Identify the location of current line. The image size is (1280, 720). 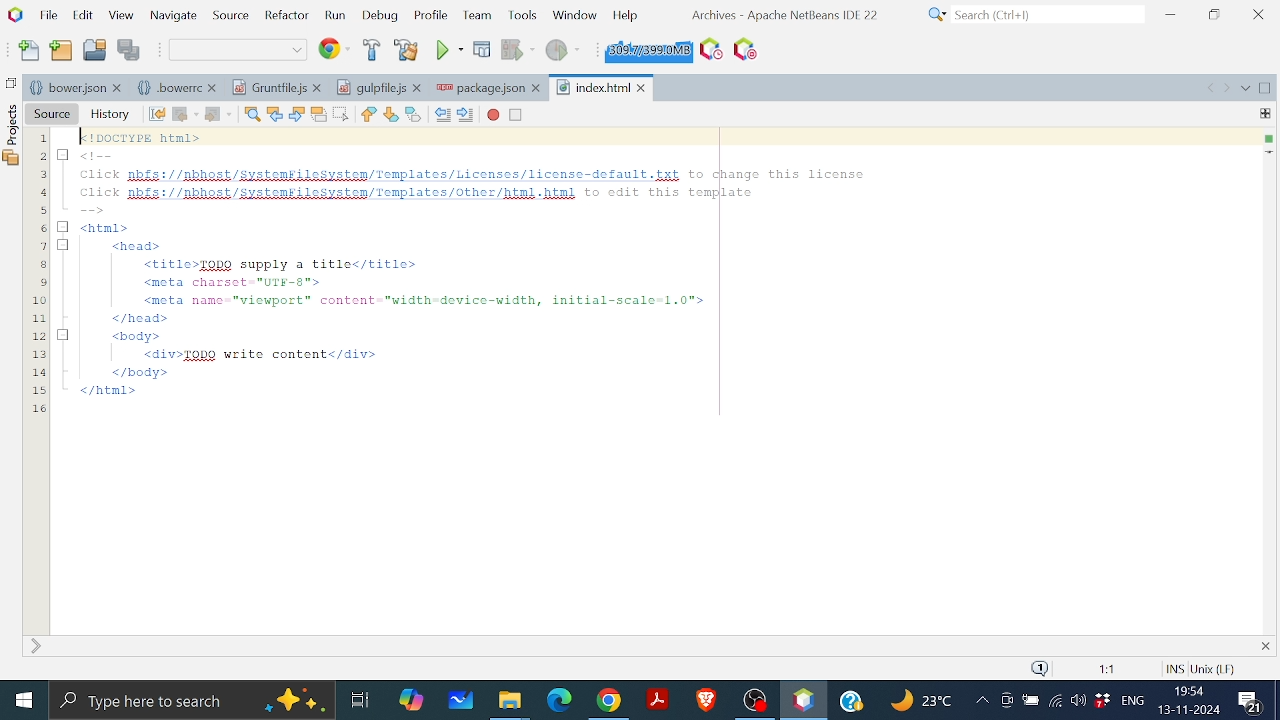
(1271, 153).